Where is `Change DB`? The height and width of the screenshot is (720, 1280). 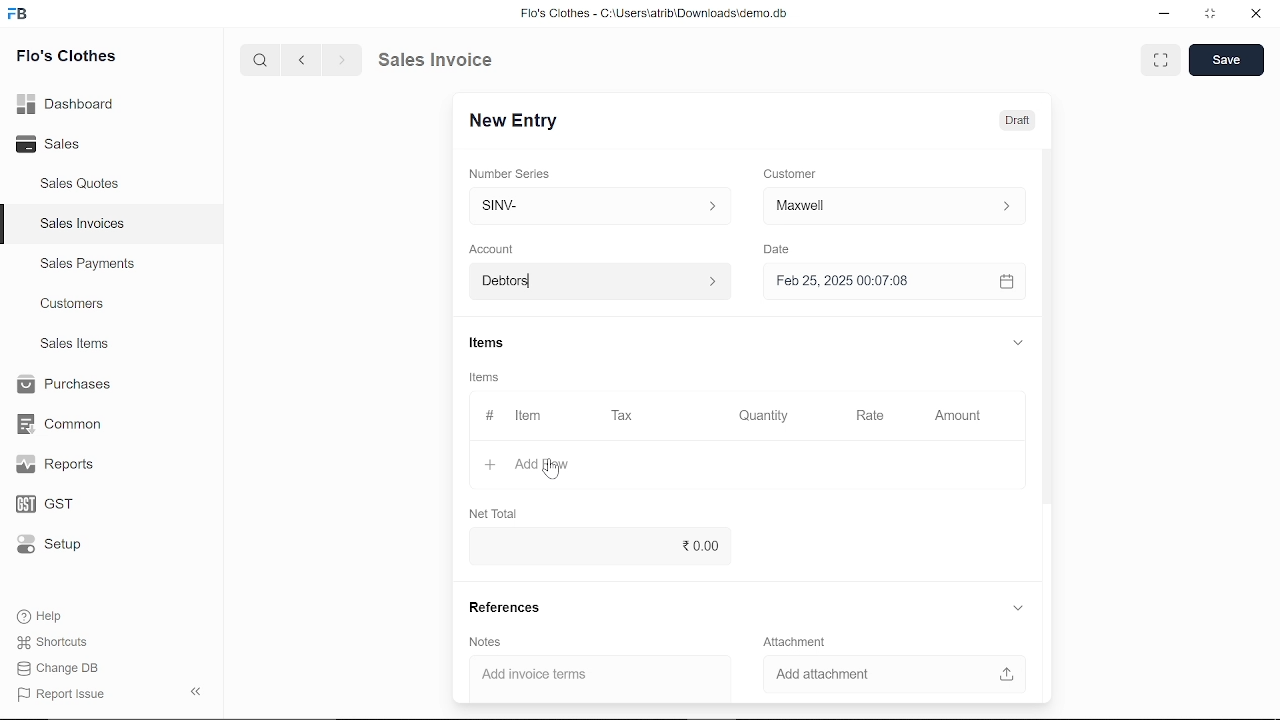 Change DB is located at coordinates (60, 667).